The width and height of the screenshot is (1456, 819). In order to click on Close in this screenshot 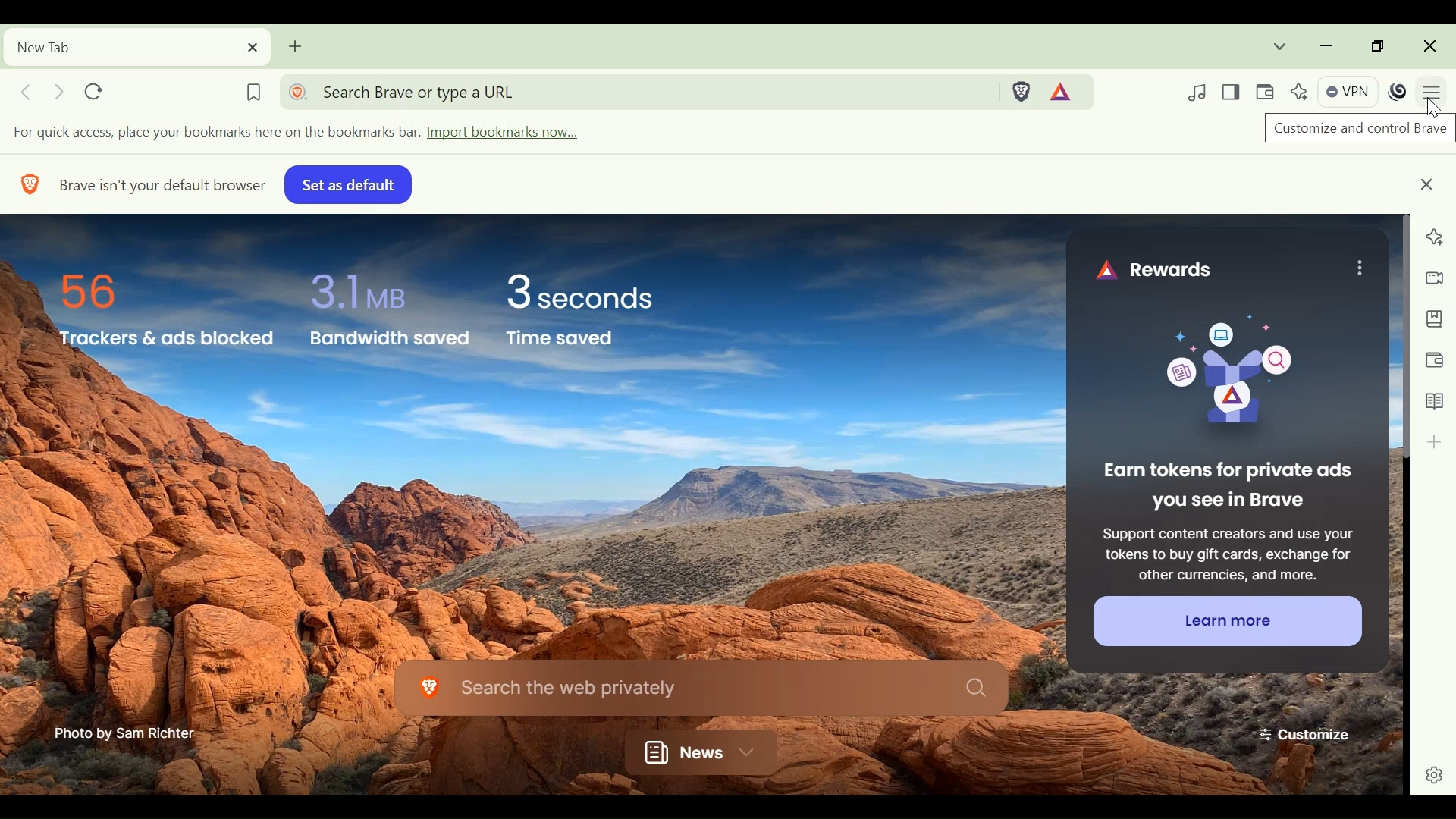, I will do `click(1430, 45)`.